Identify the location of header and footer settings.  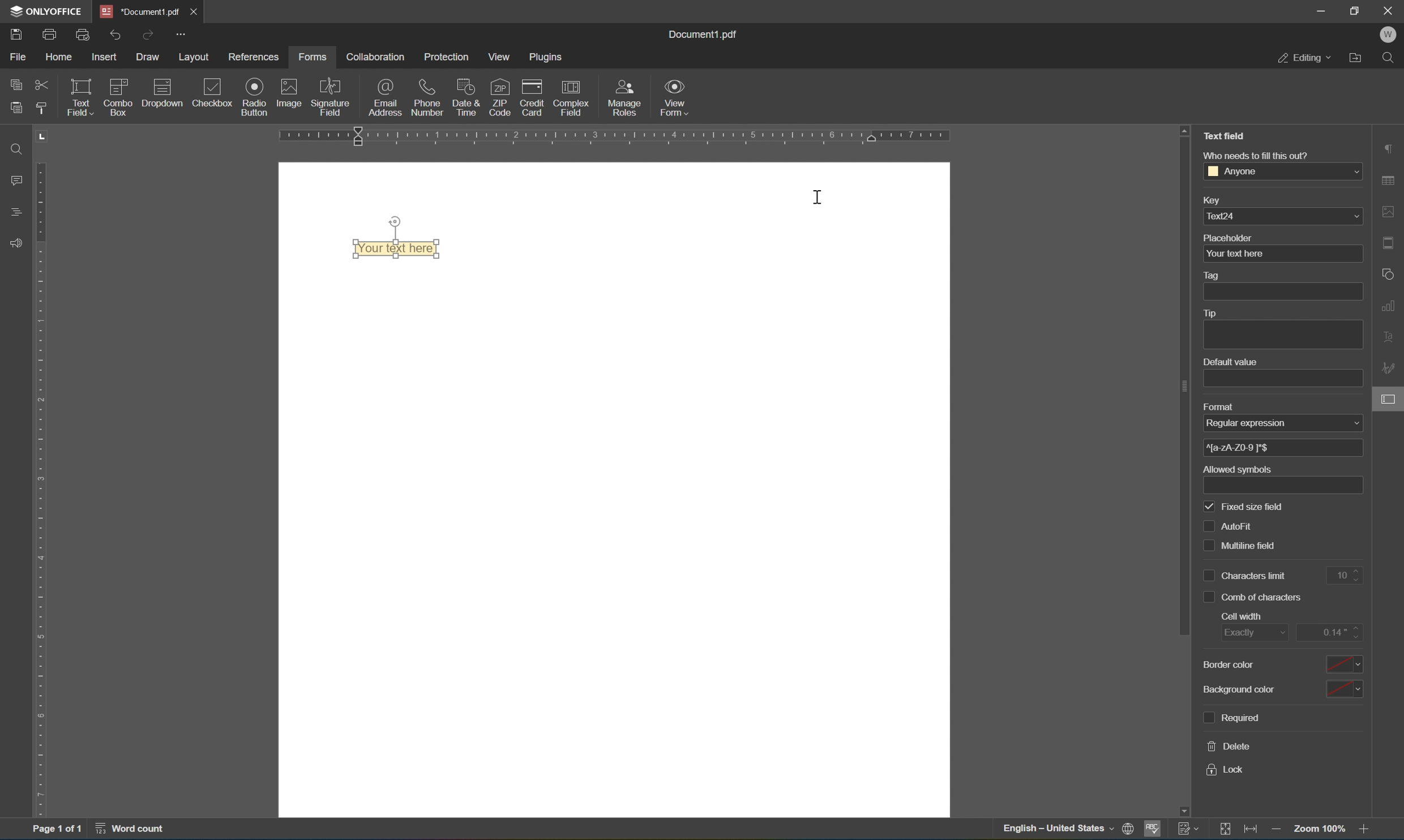
(1392, 242).